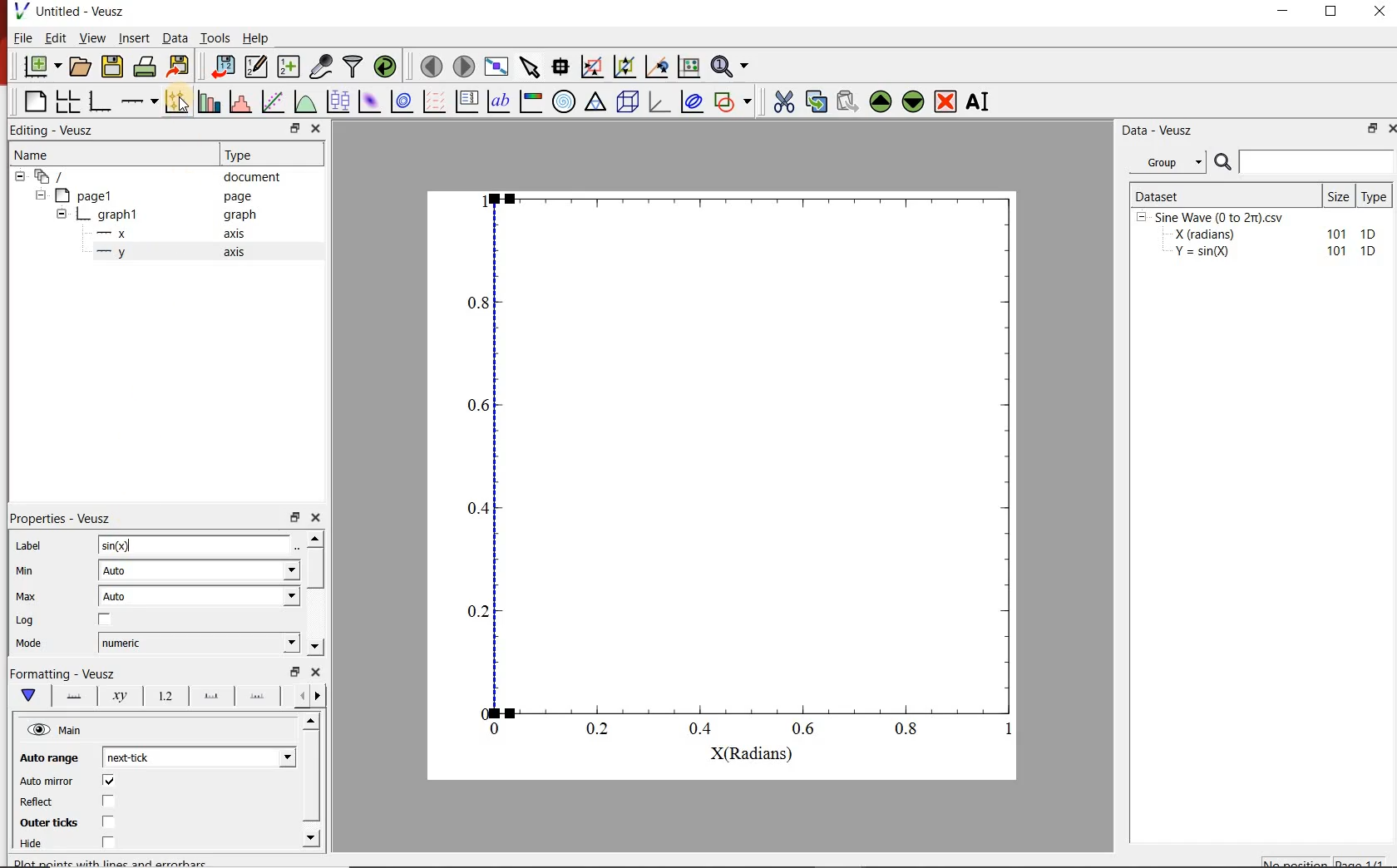 The image size is (1397, 868). Describe the element at coordinates (592, 65) in the screenshot. I see `click or draw rectangle` at that location.